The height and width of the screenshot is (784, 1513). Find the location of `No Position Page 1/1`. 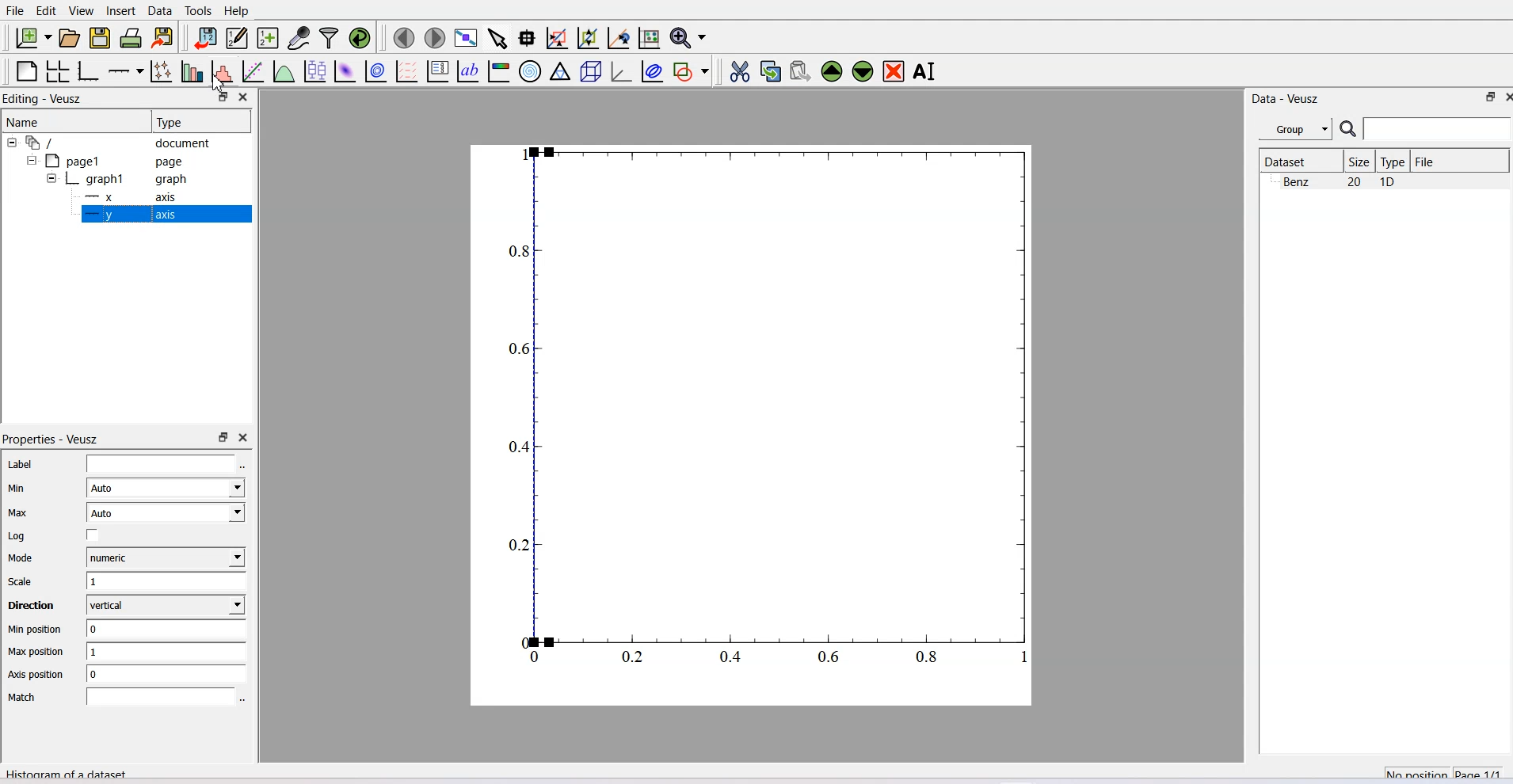

No Position Page 1/1 is located at coordinates (1442, 771).